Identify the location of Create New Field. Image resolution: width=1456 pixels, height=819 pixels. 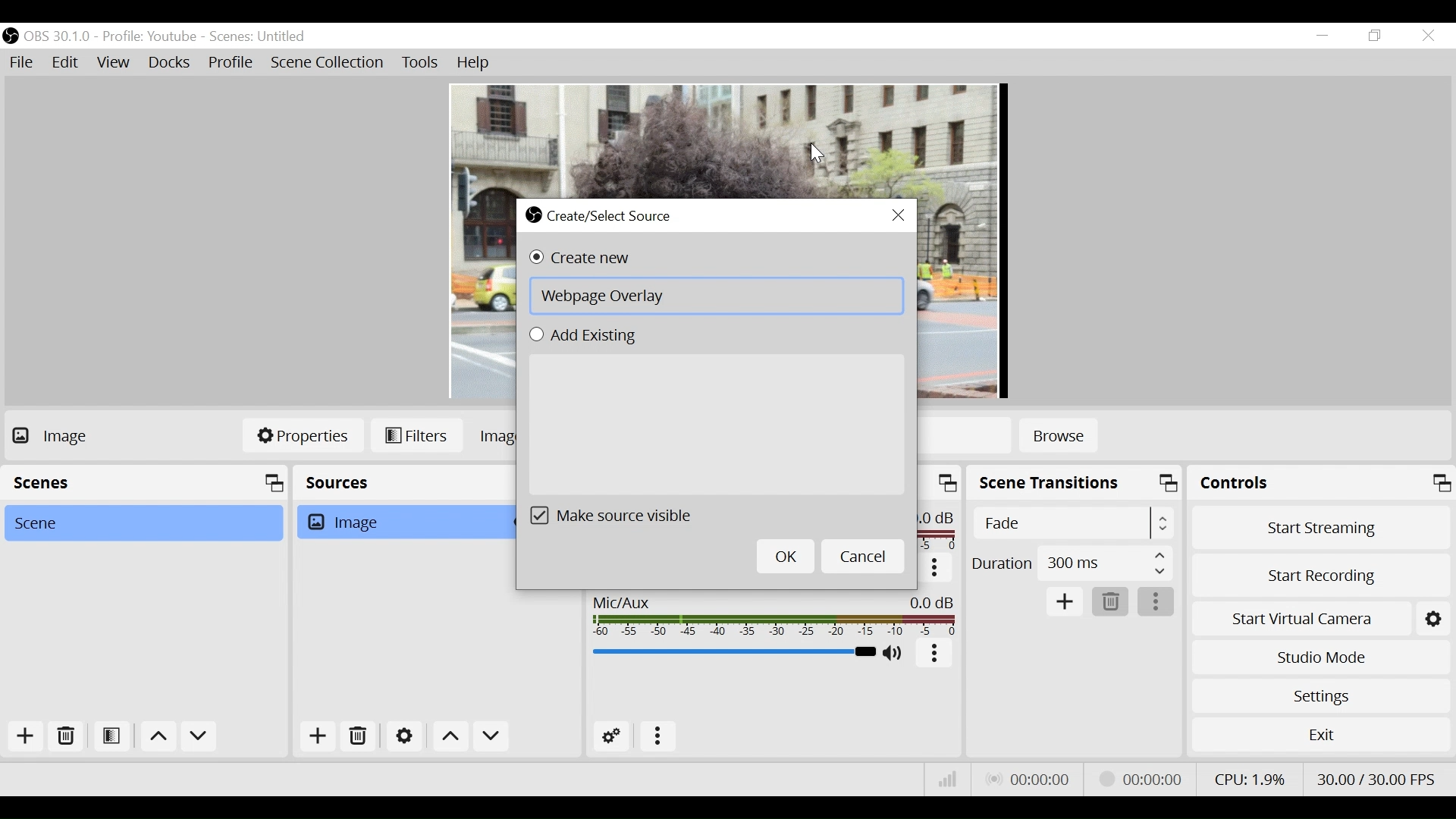
(717, 297).